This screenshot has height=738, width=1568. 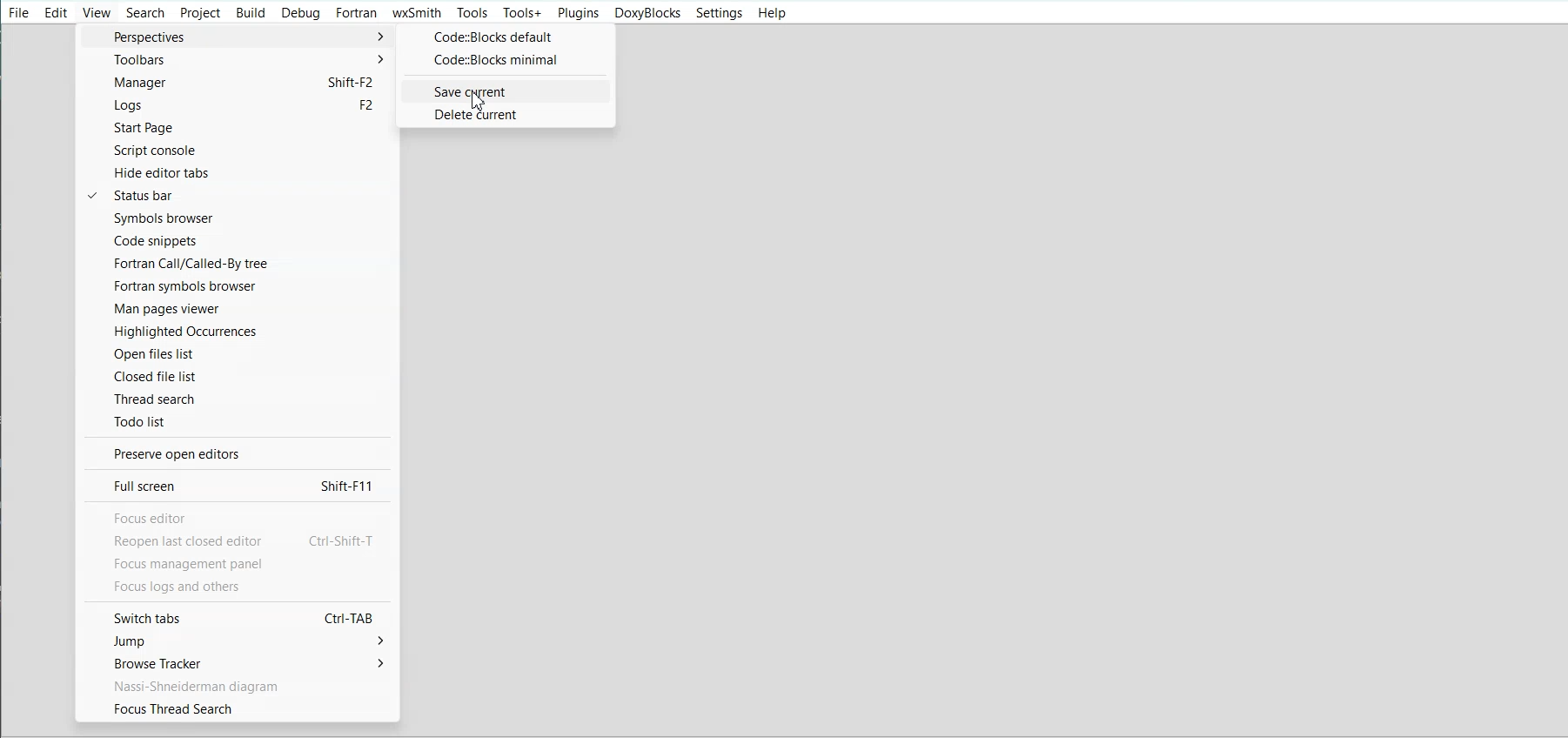 What do you see at coordinates (472, 12) in the screenshot?
I see `Tools` at bounding box center [472, 12].